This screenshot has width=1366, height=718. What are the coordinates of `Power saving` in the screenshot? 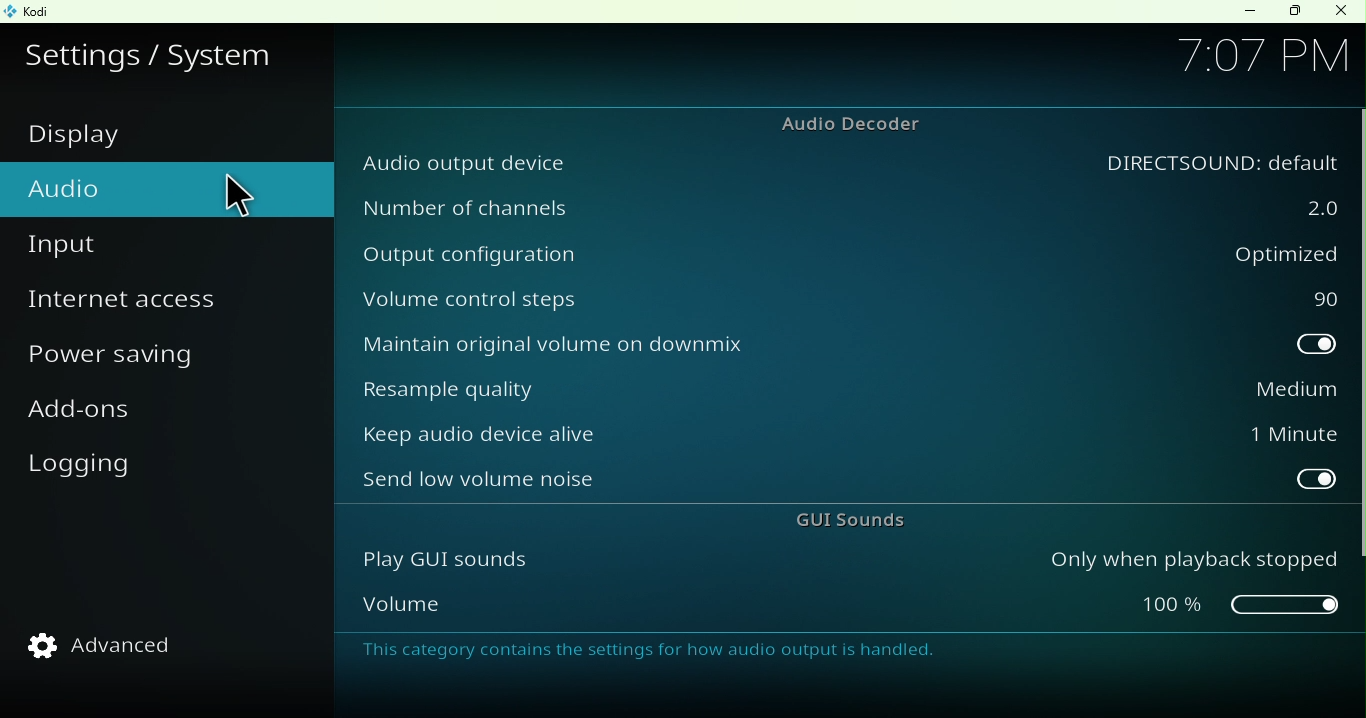 It's located at (121, 355).